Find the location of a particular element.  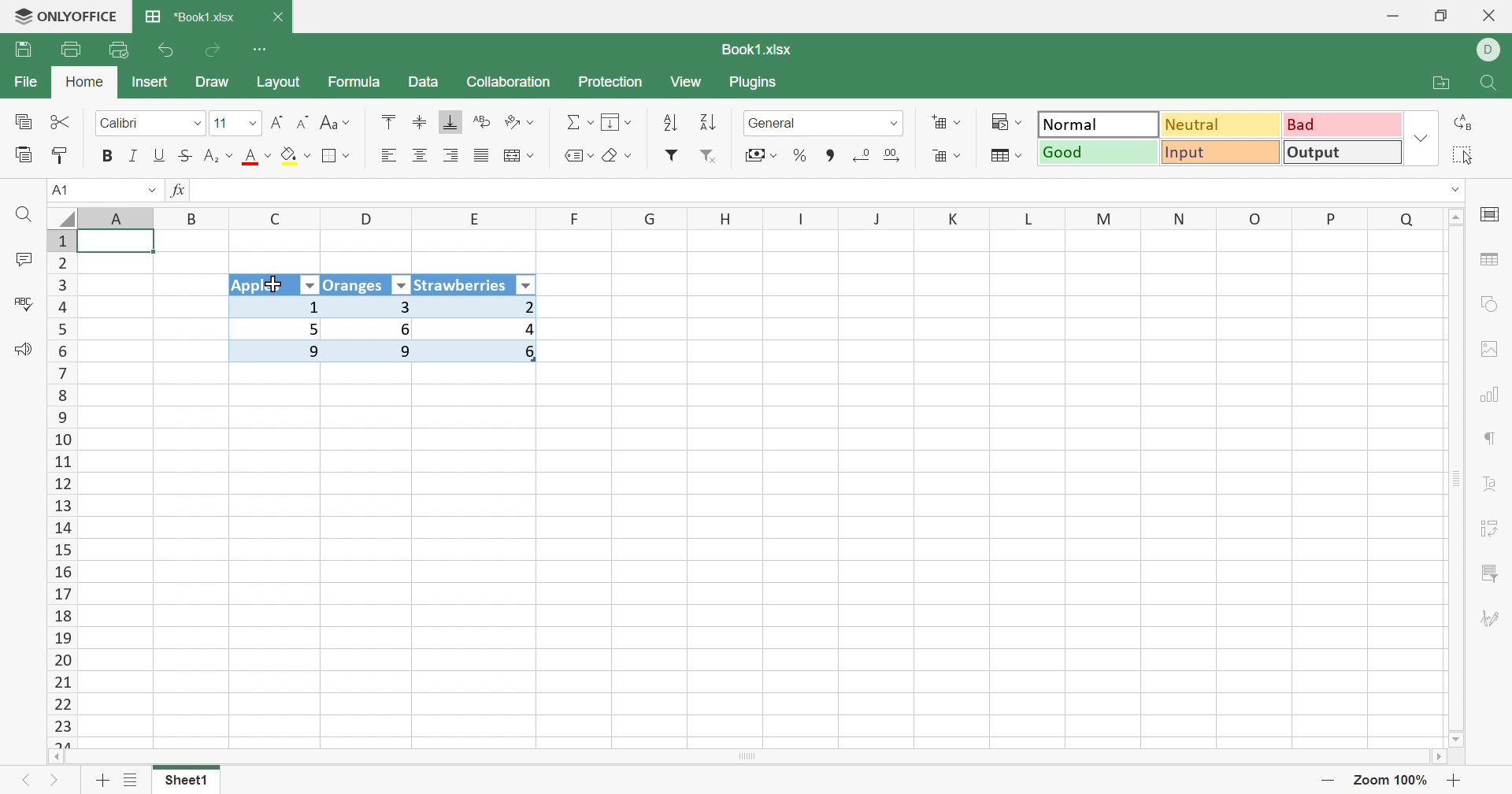

Zoom out is located at coordinates (1329, 780).